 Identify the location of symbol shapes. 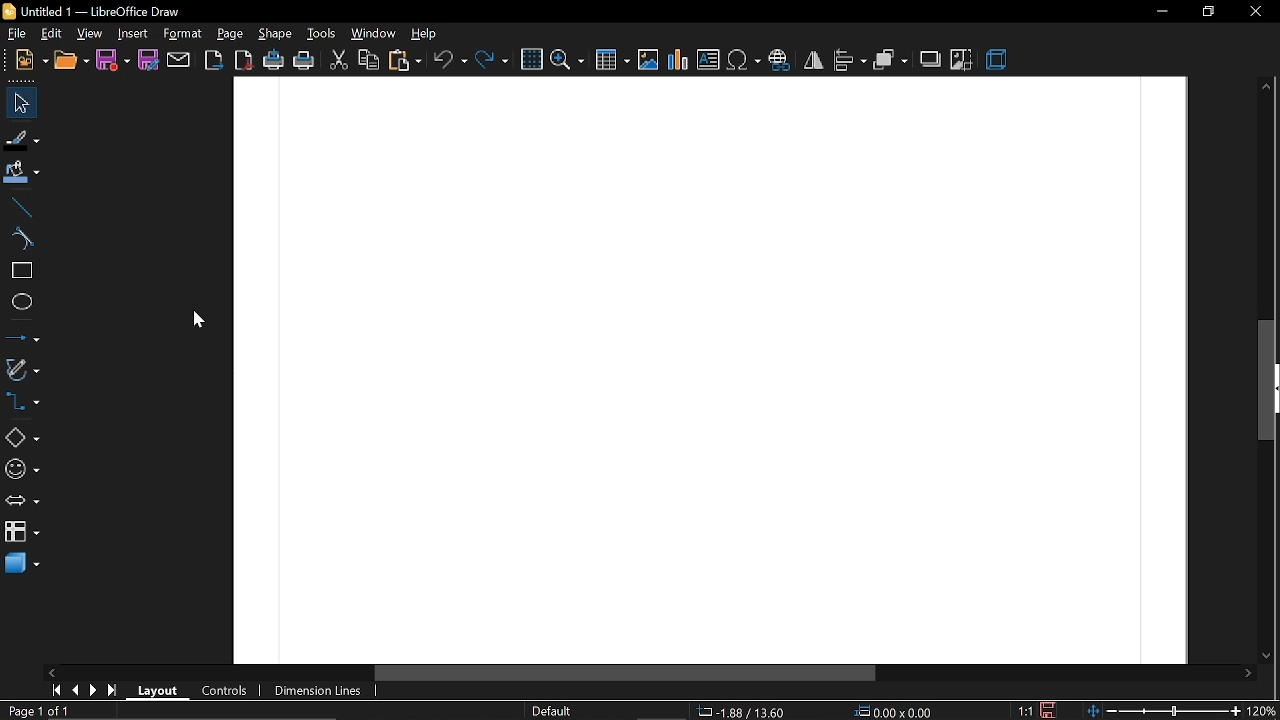
(22, 471).